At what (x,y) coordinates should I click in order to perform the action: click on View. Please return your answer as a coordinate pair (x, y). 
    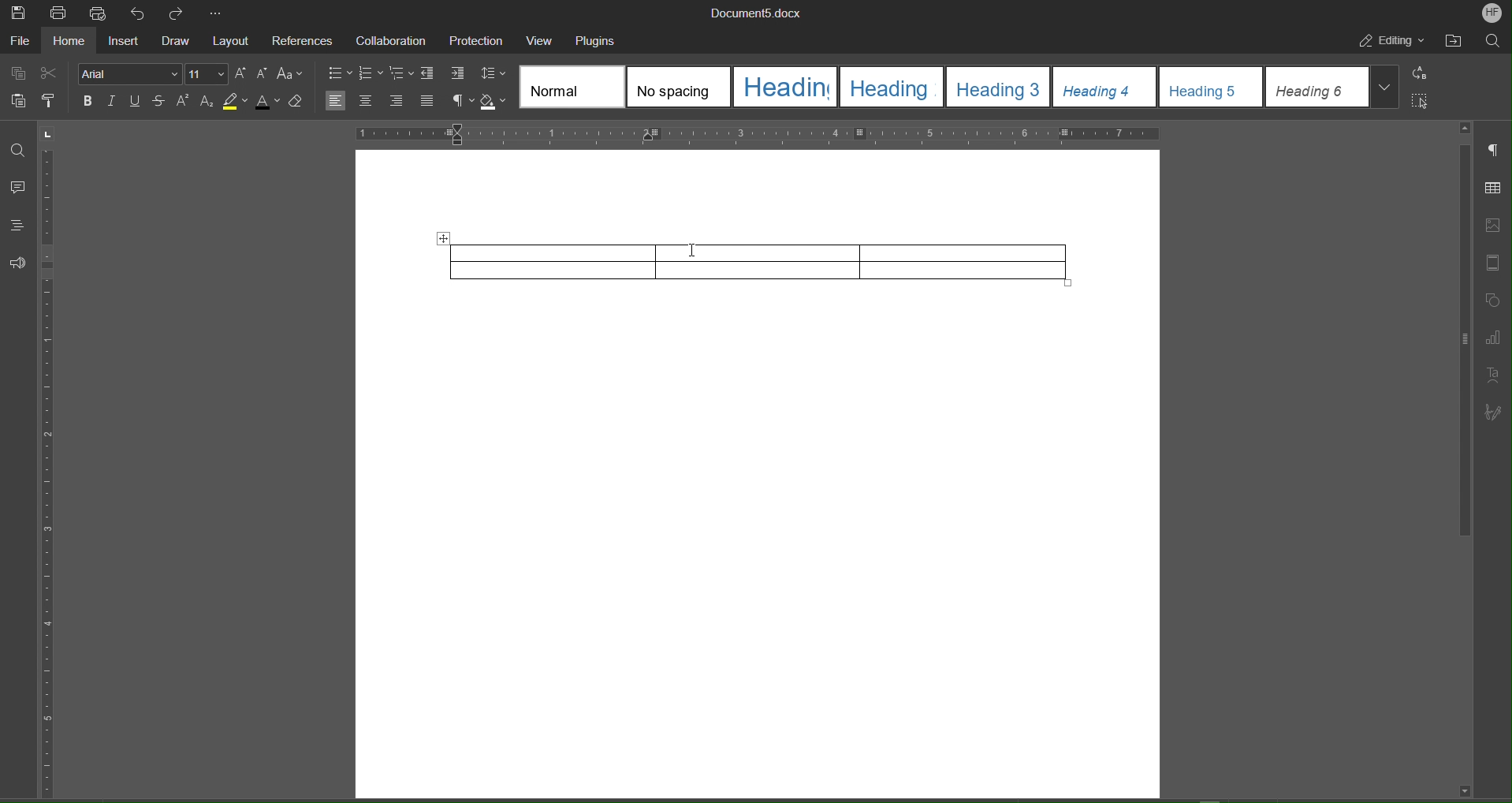
    Looking at the image, I should click on (543, 40).